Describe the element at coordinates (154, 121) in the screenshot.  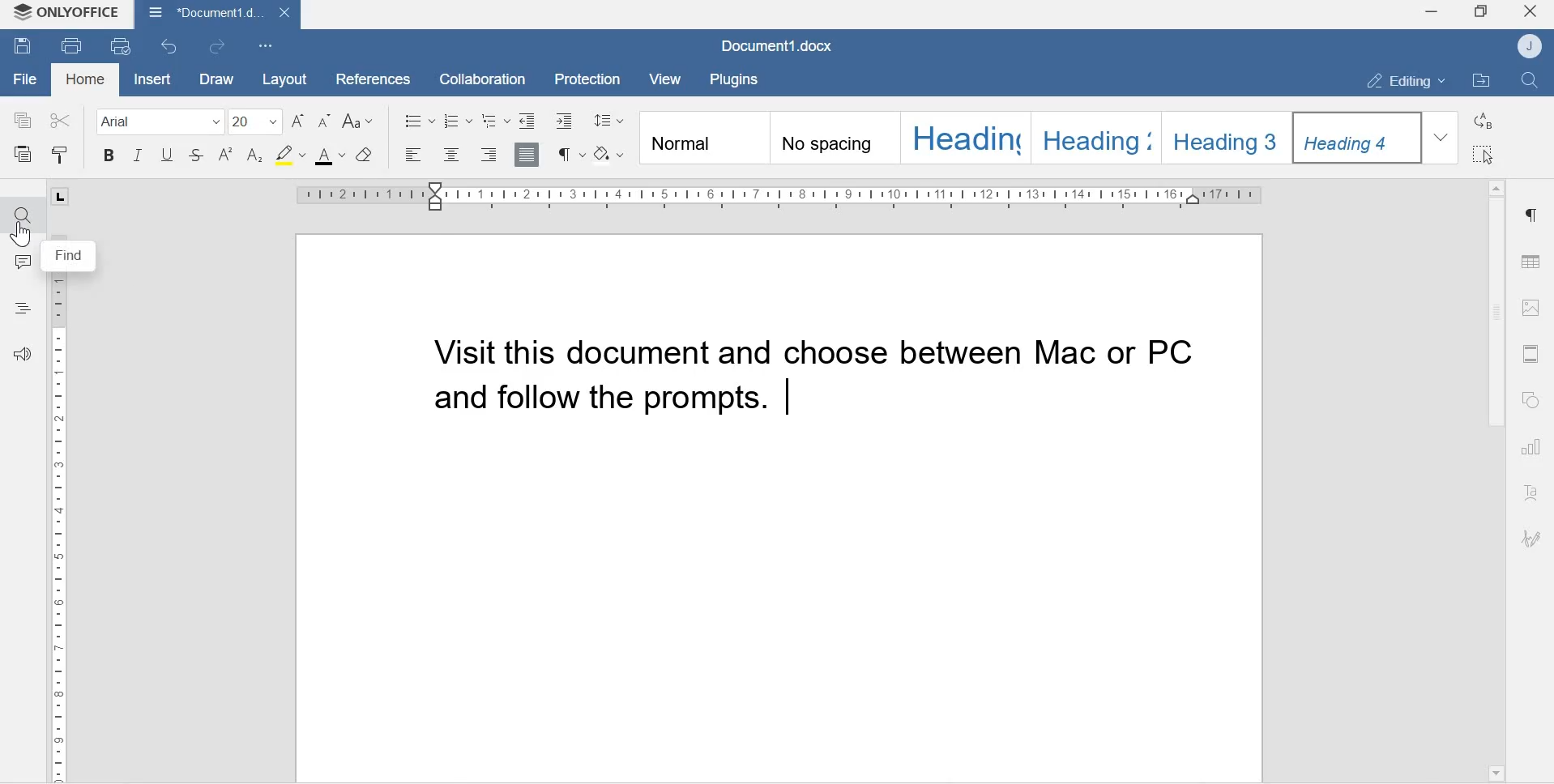
I see `Arial` at that location.